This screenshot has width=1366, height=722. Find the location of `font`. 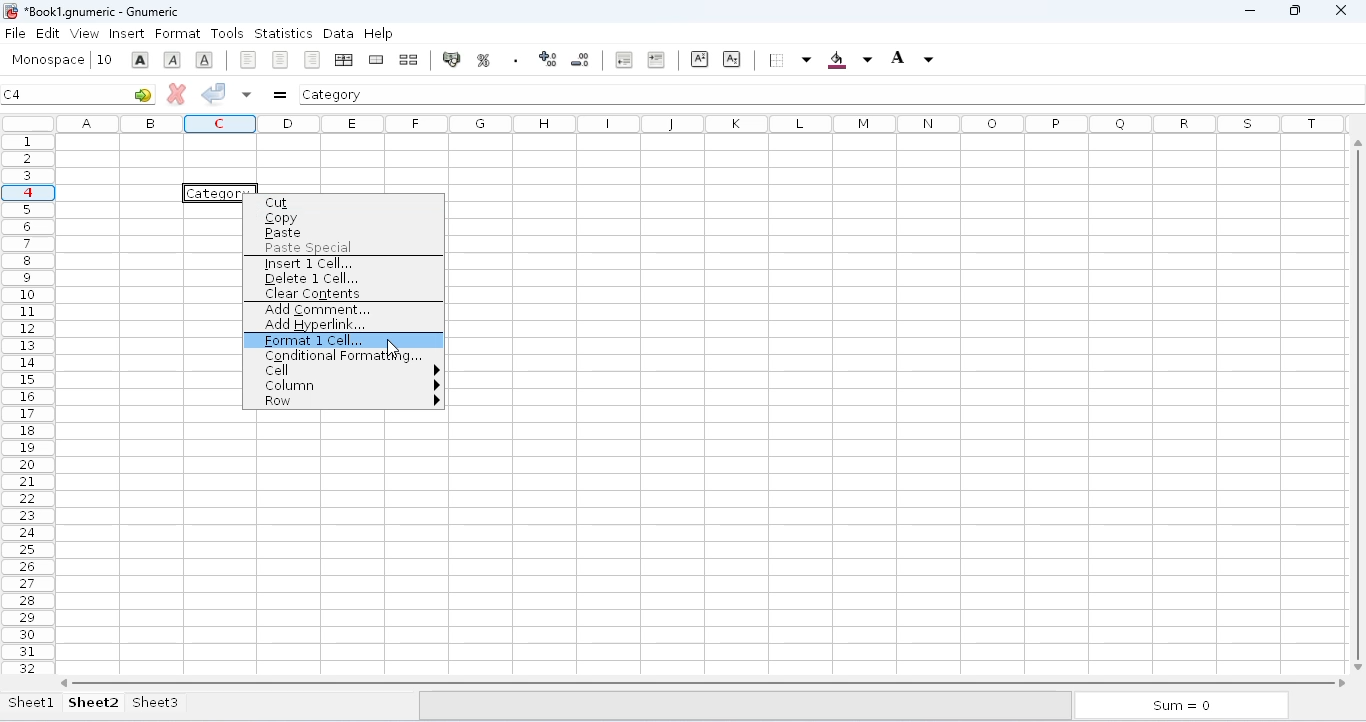

font is located at coordinates (47, 60).